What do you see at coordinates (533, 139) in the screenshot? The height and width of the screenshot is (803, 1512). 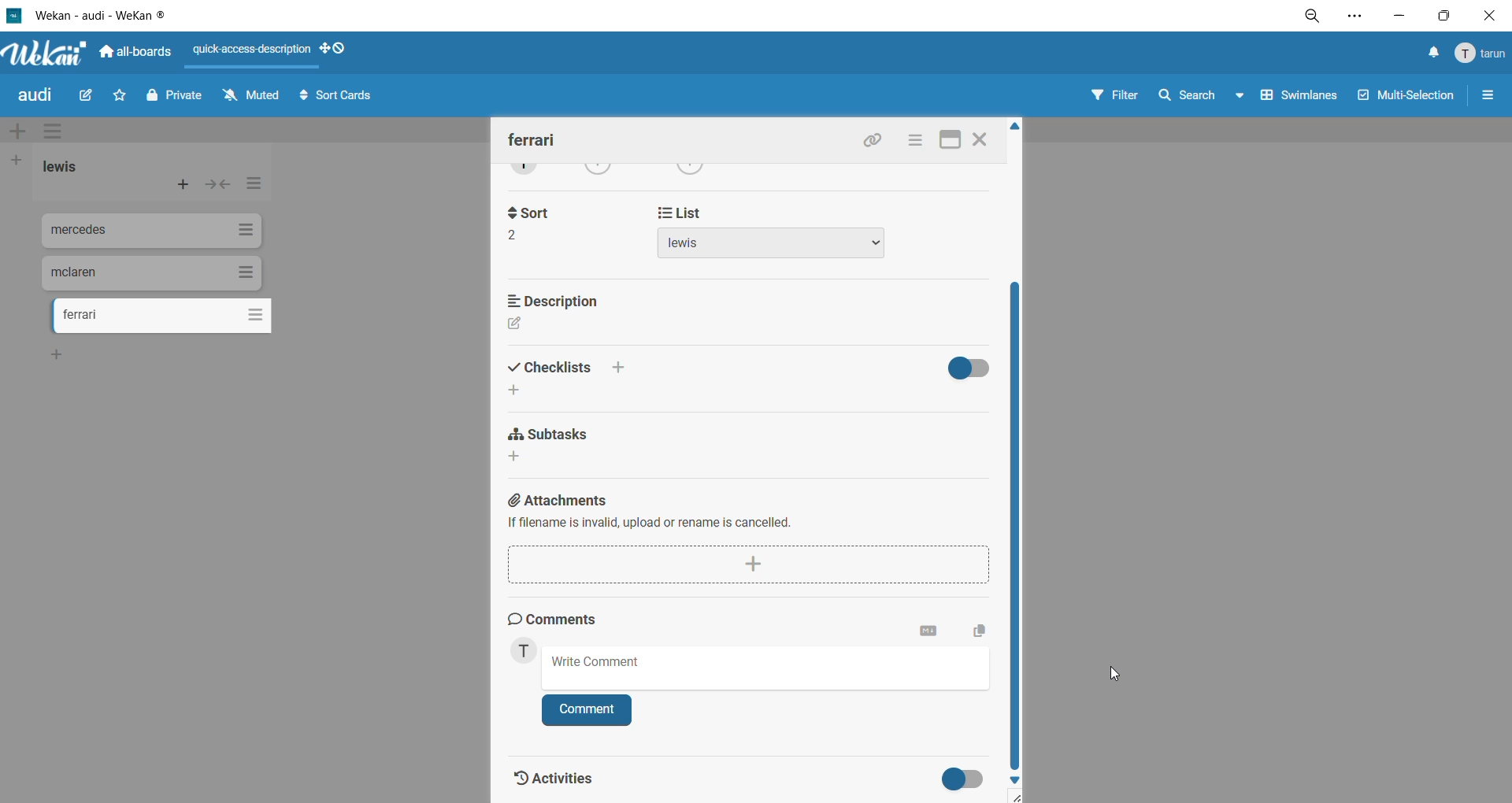 I see `card title` at bounding box center [533, 139].